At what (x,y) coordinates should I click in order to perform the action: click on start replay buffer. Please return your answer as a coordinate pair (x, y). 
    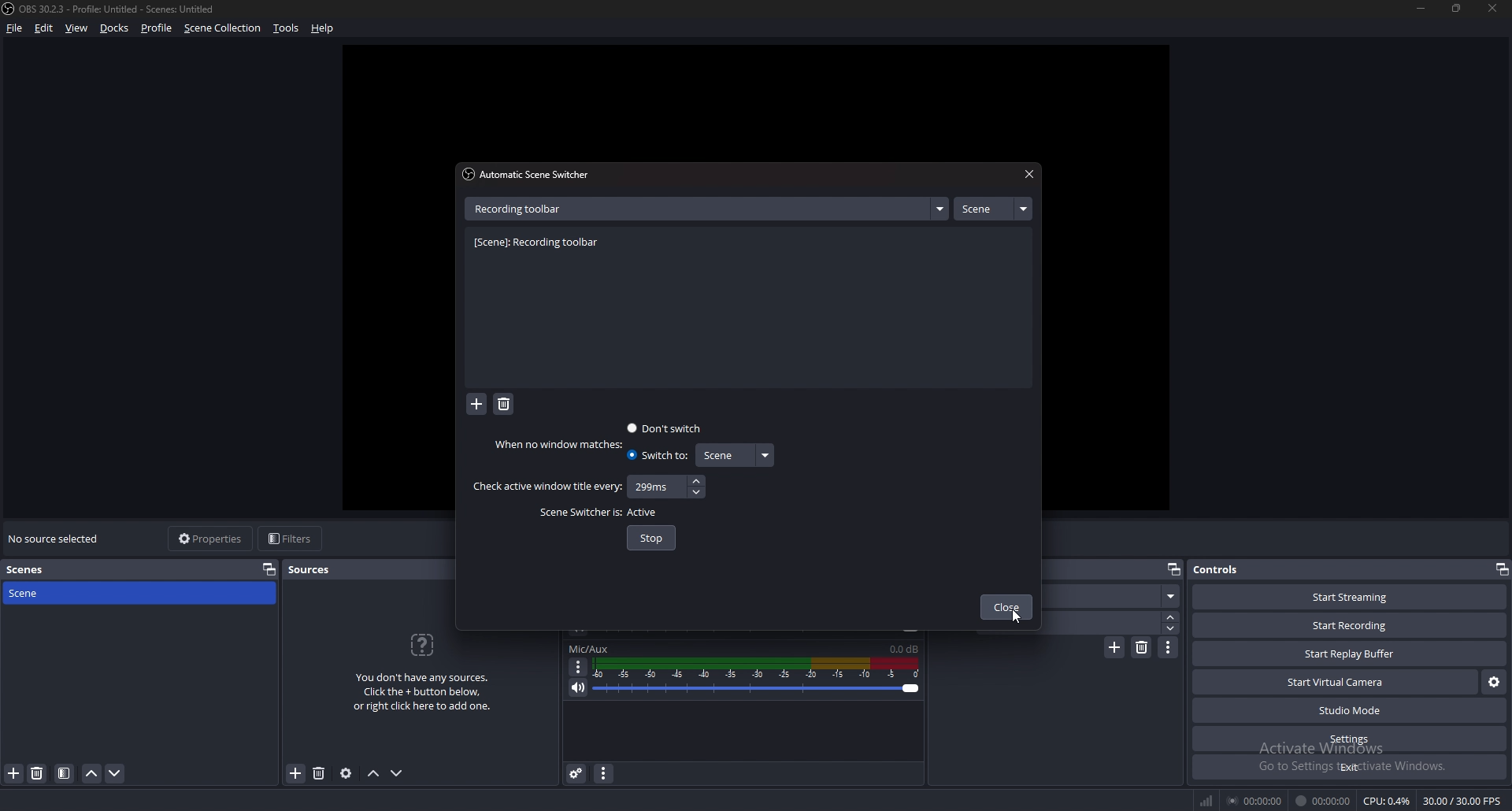
    Looking at the image, I should click on (1351, 654).